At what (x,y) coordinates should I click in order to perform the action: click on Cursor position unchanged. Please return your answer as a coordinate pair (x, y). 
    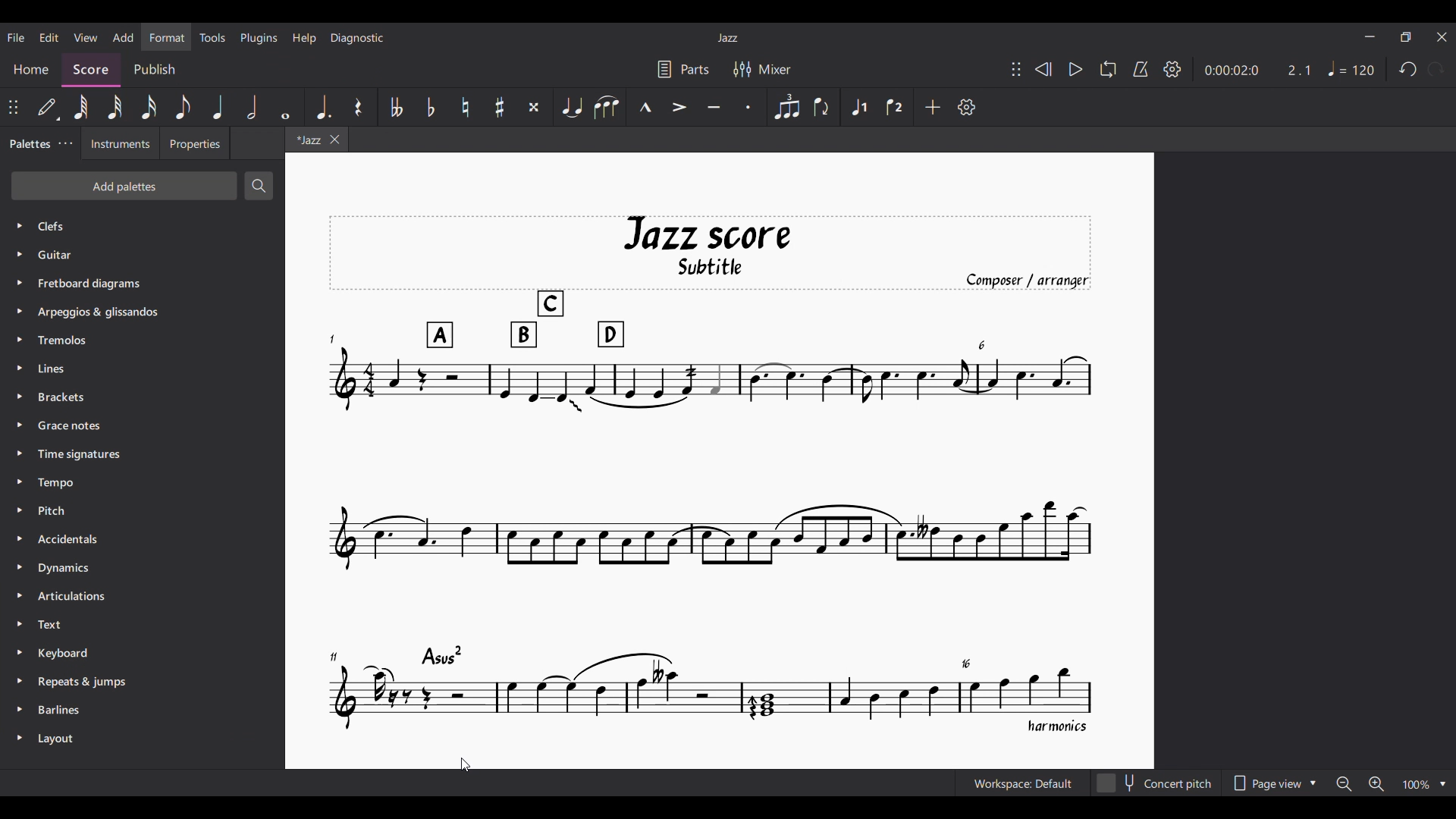
    Looking at the image, I should click on (466, 765).